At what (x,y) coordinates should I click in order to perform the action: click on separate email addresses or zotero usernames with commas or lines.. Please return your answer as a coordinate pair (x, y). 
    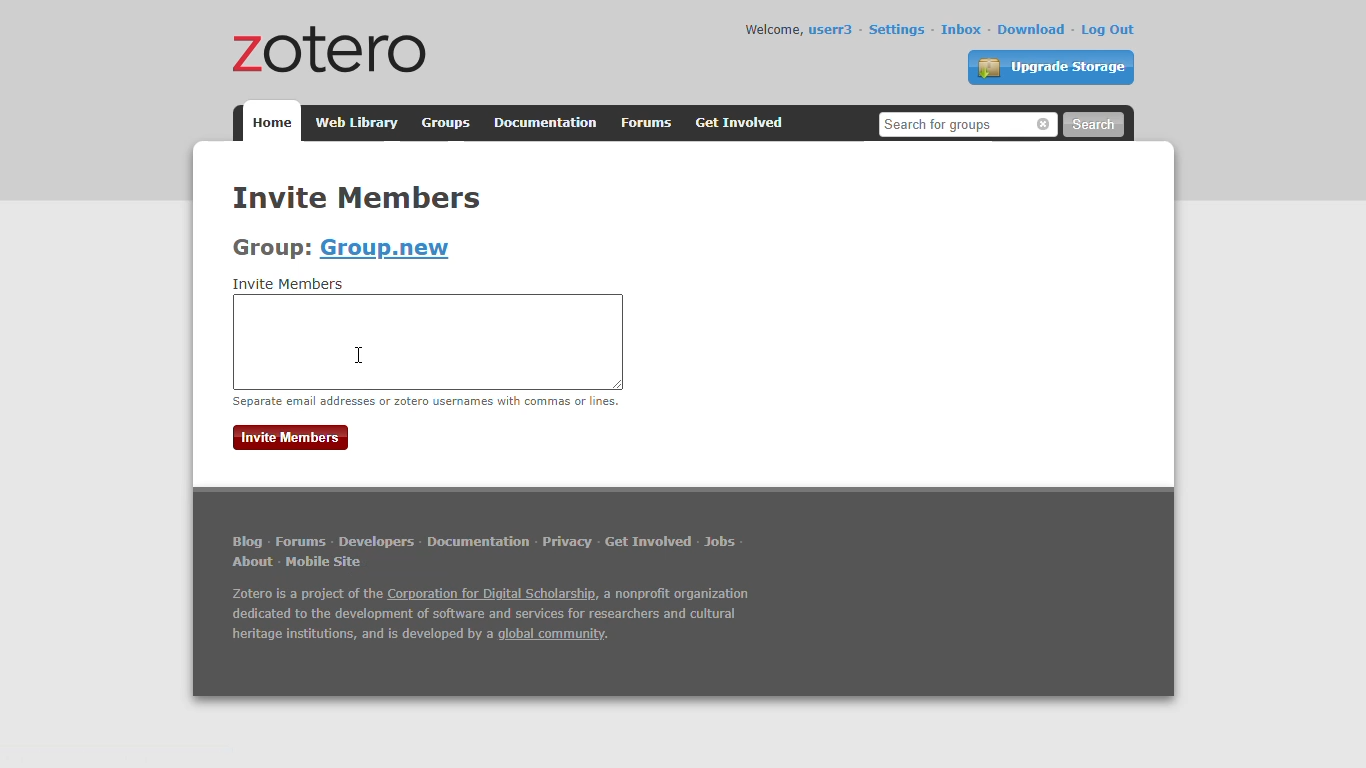
    Looking at the image, I should click on (426, 401).